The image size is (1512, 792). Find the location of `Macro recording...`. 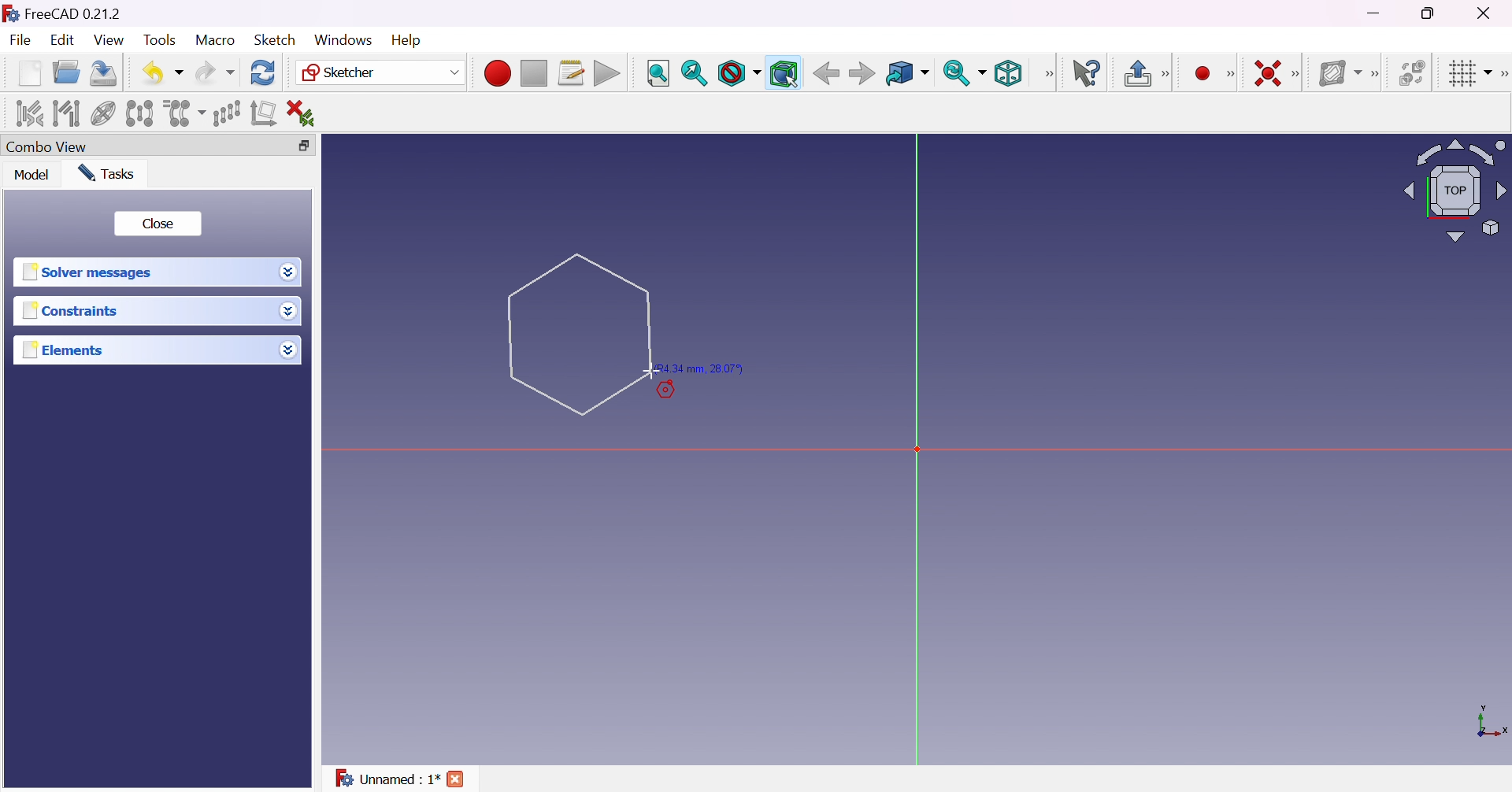

Macro recording... is located at coordinates (497, 73).